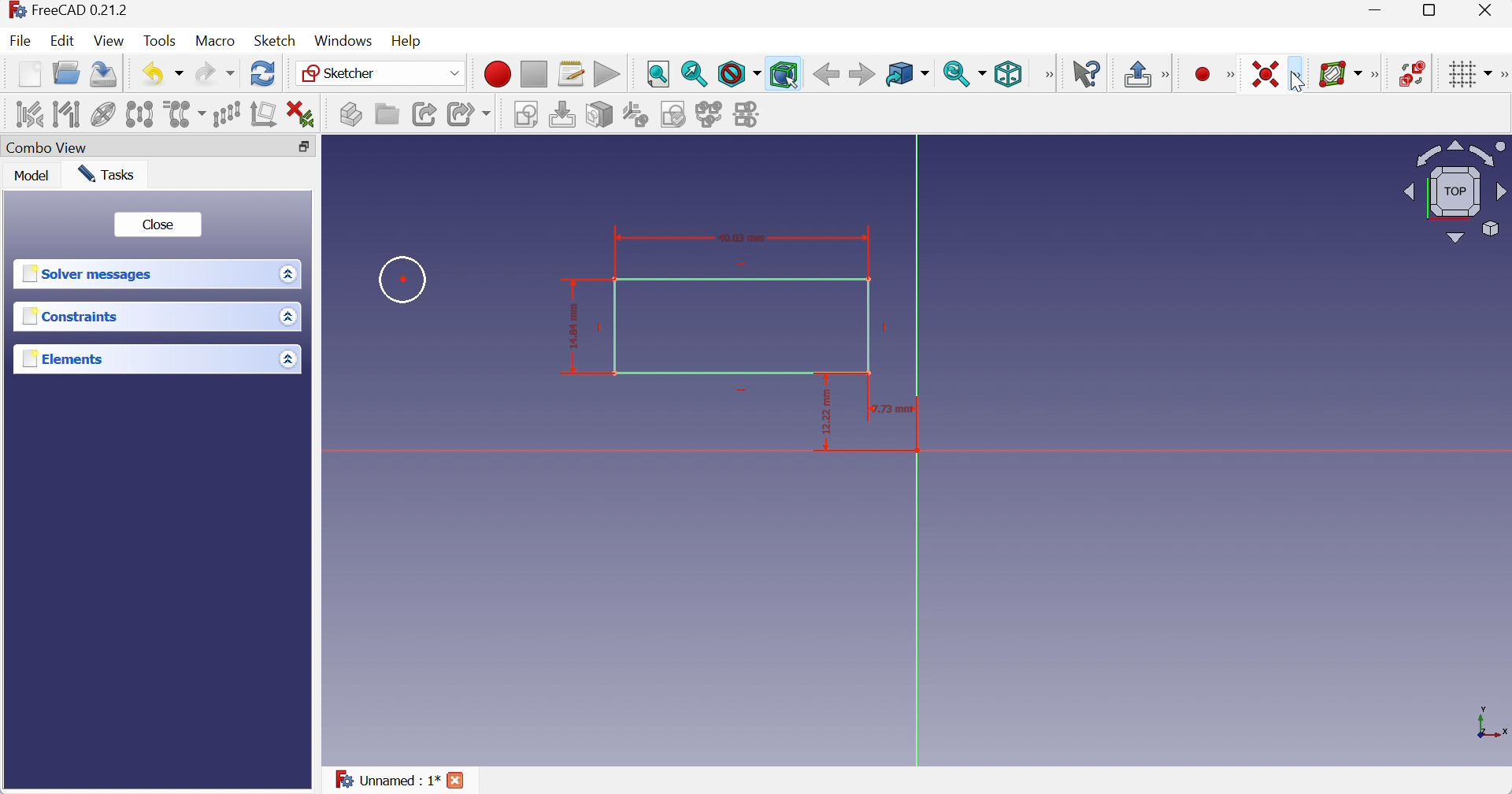  I want to click on Draw style, so click(739, 74).